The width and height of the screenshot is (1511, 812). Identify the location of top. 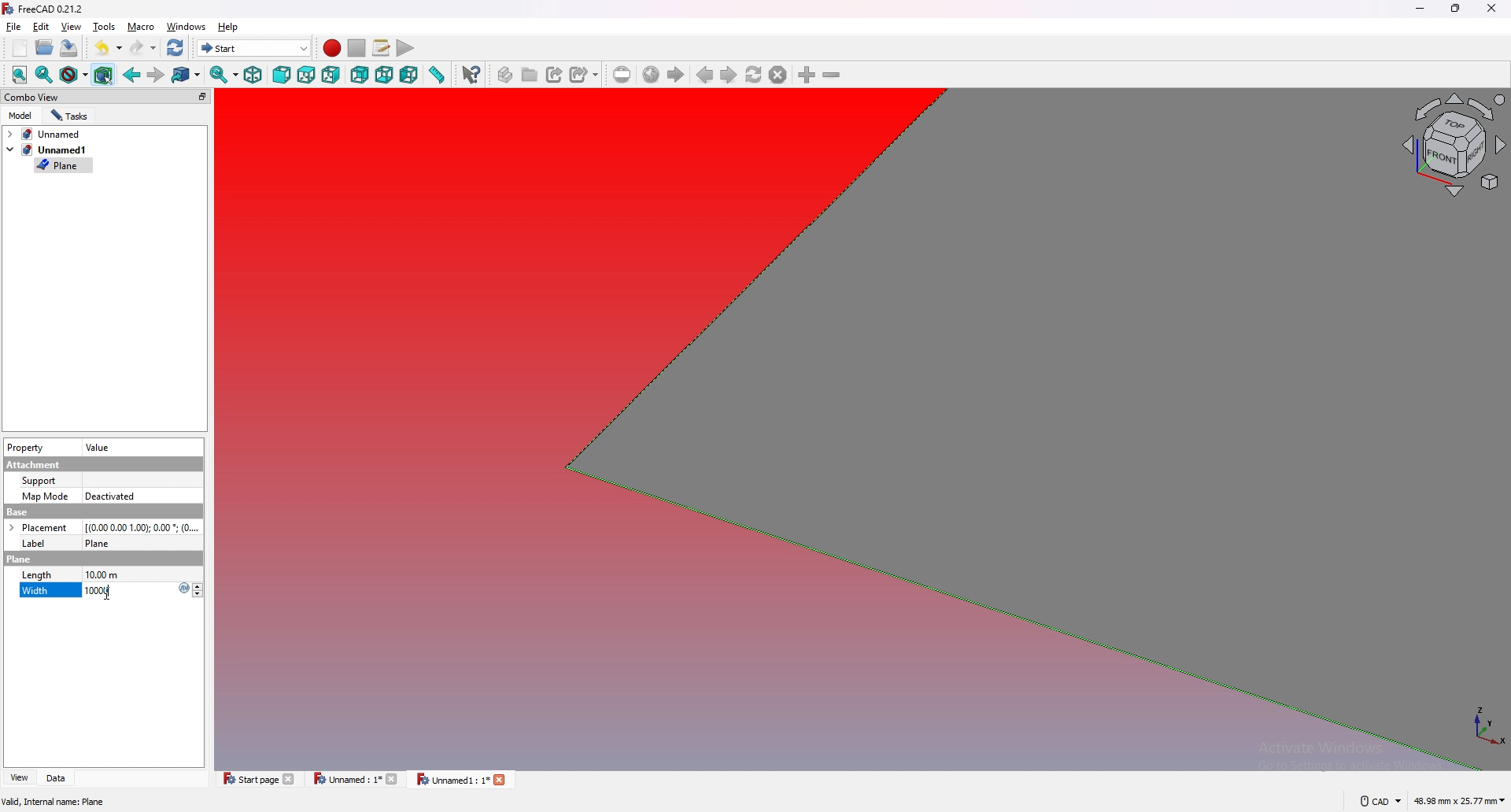
(306, 76).